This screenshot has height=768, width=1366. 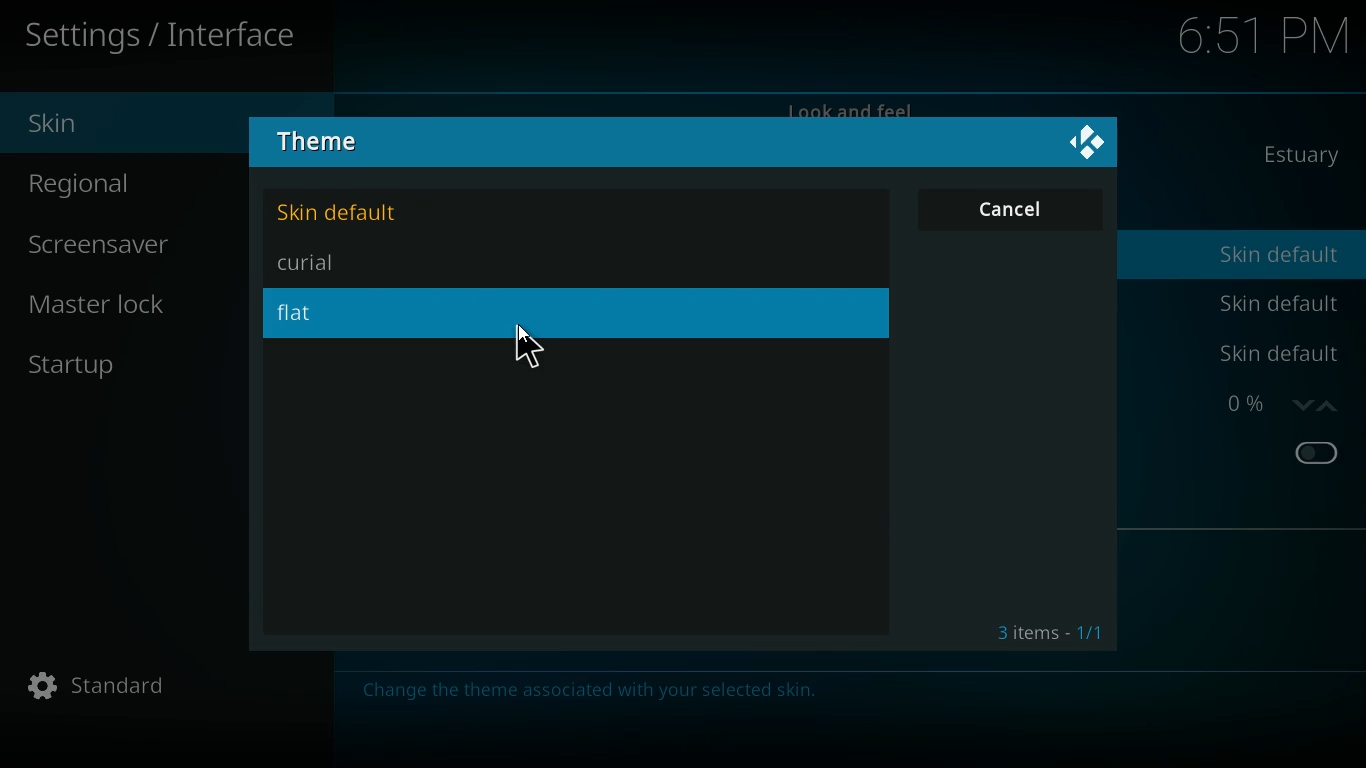 What do you see at coordinates (526, 349) in the screenshot?
I see `Cursor` at bounding box center [526, 349].